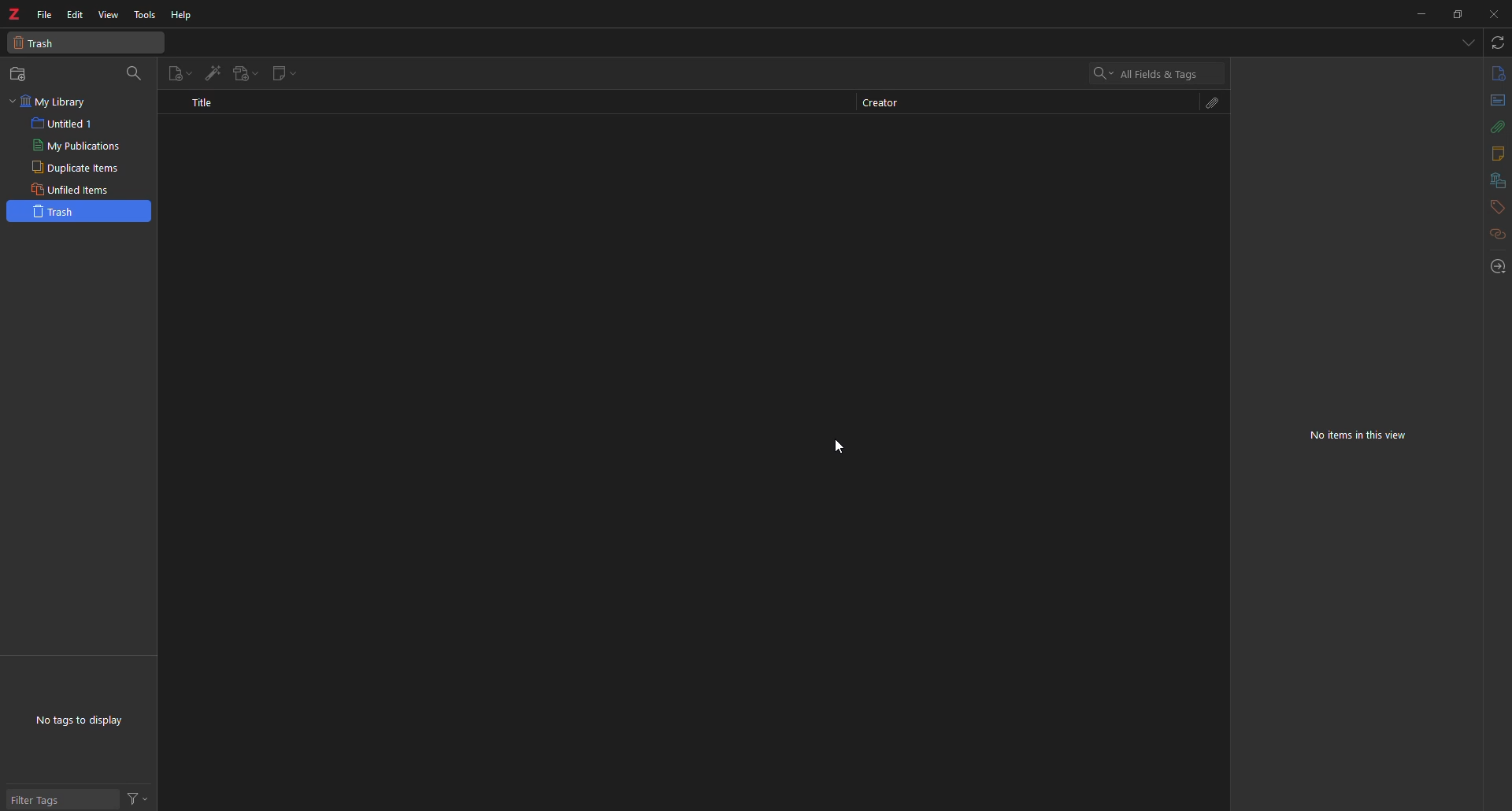 The image size is (1512, 811). I want to click on add item, so click(212, 72).